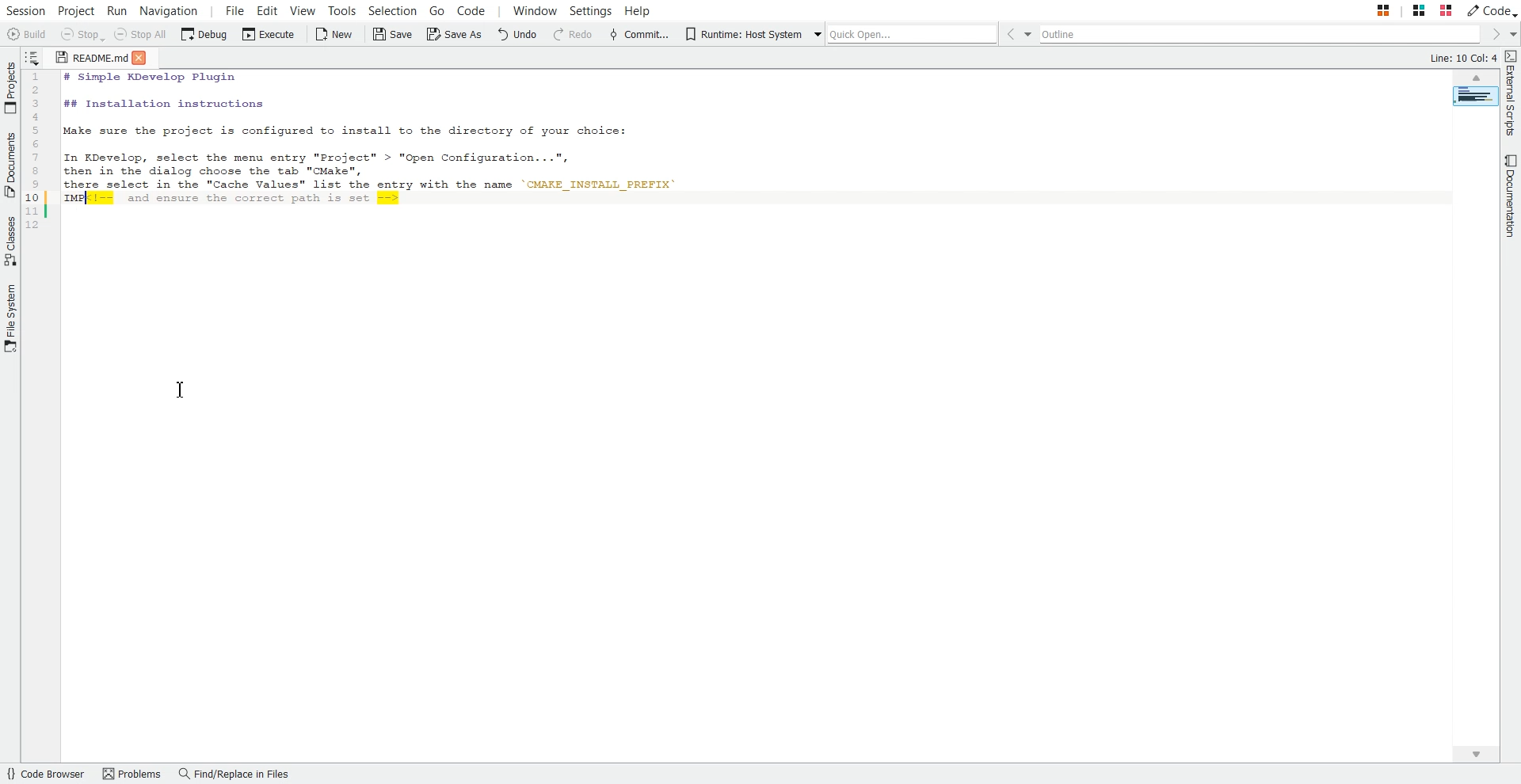  I want to click on Commit, so click(639, 35).